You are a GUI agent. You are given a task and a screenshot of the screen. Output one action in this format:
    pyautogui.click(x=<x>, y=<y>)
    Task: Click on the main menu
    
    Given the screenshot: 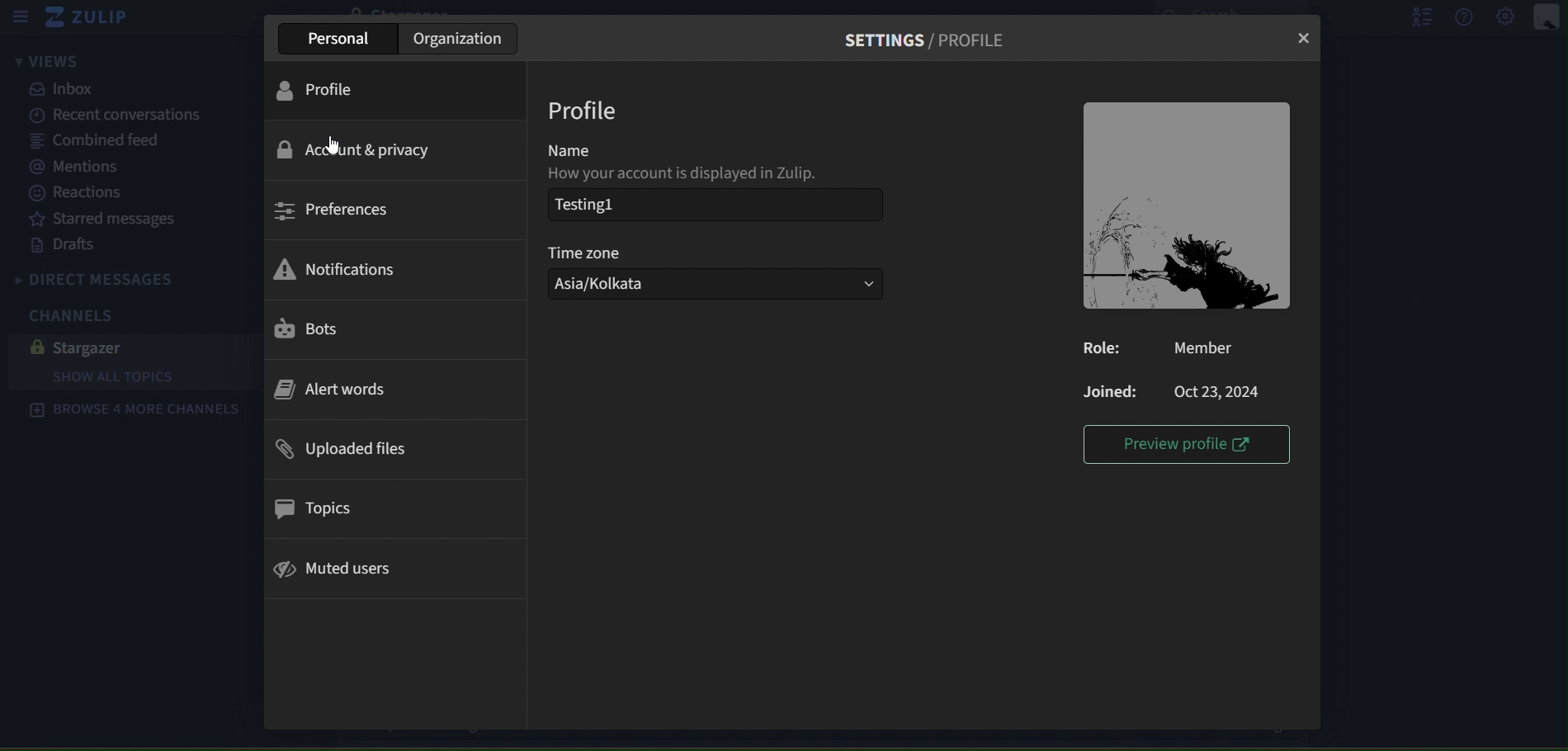 What is the action you would take?
    pyautogui.click(x=1507, y=18)
    